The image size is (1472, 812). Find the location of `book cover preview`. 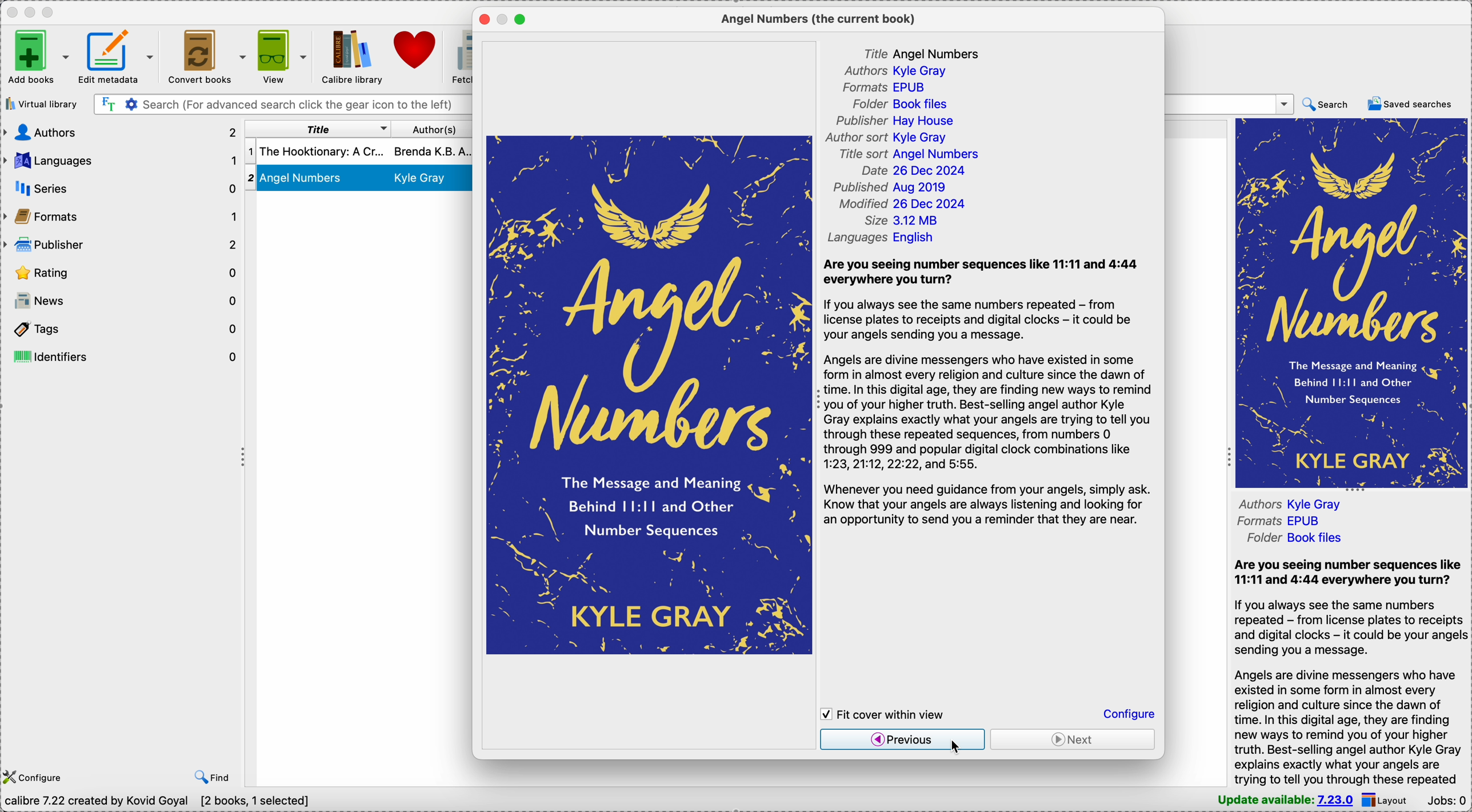

book cover preview is located at coordinates (648, 394).